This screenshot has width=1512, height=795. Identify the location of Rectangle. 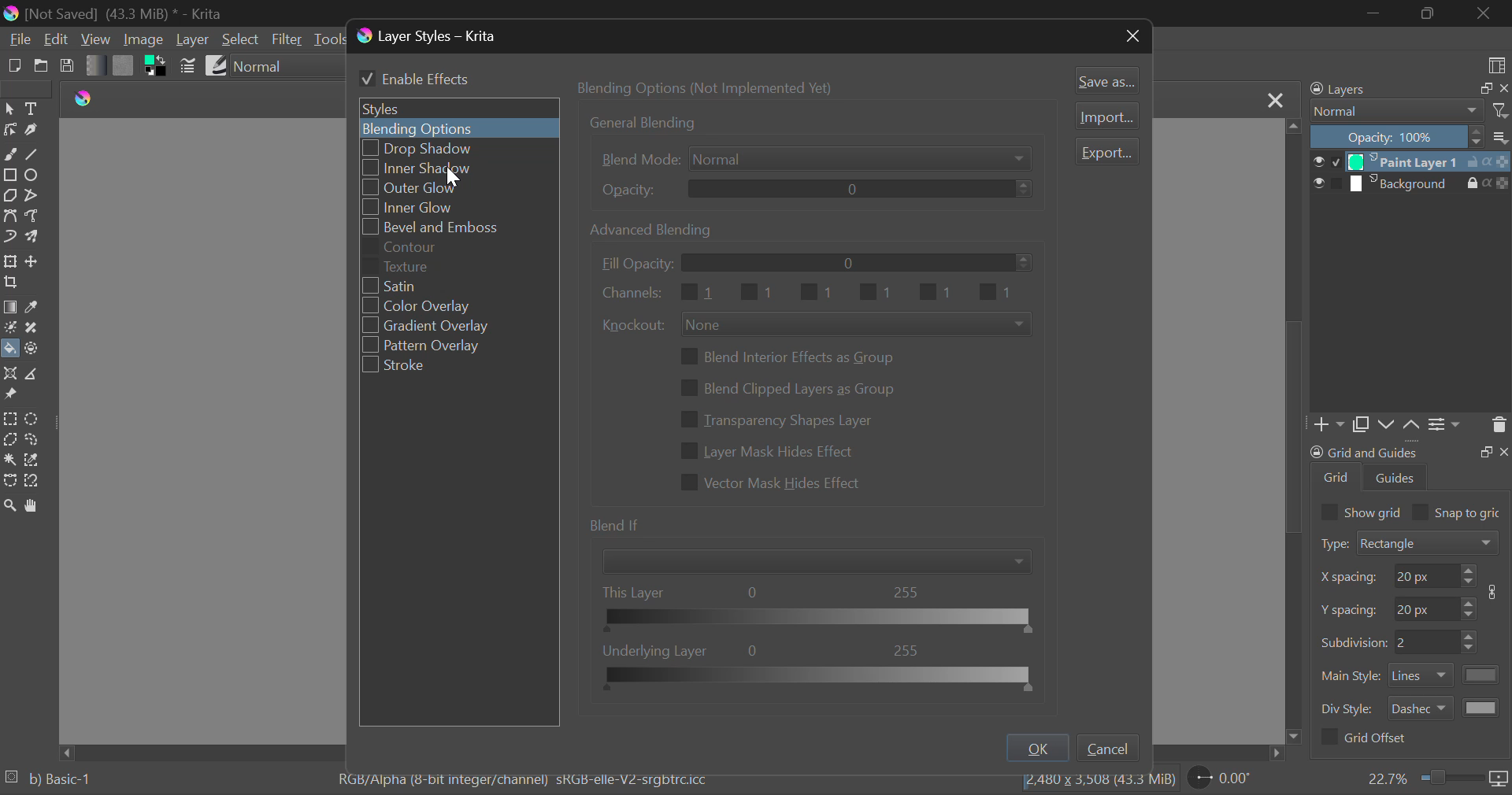
(11, 174).